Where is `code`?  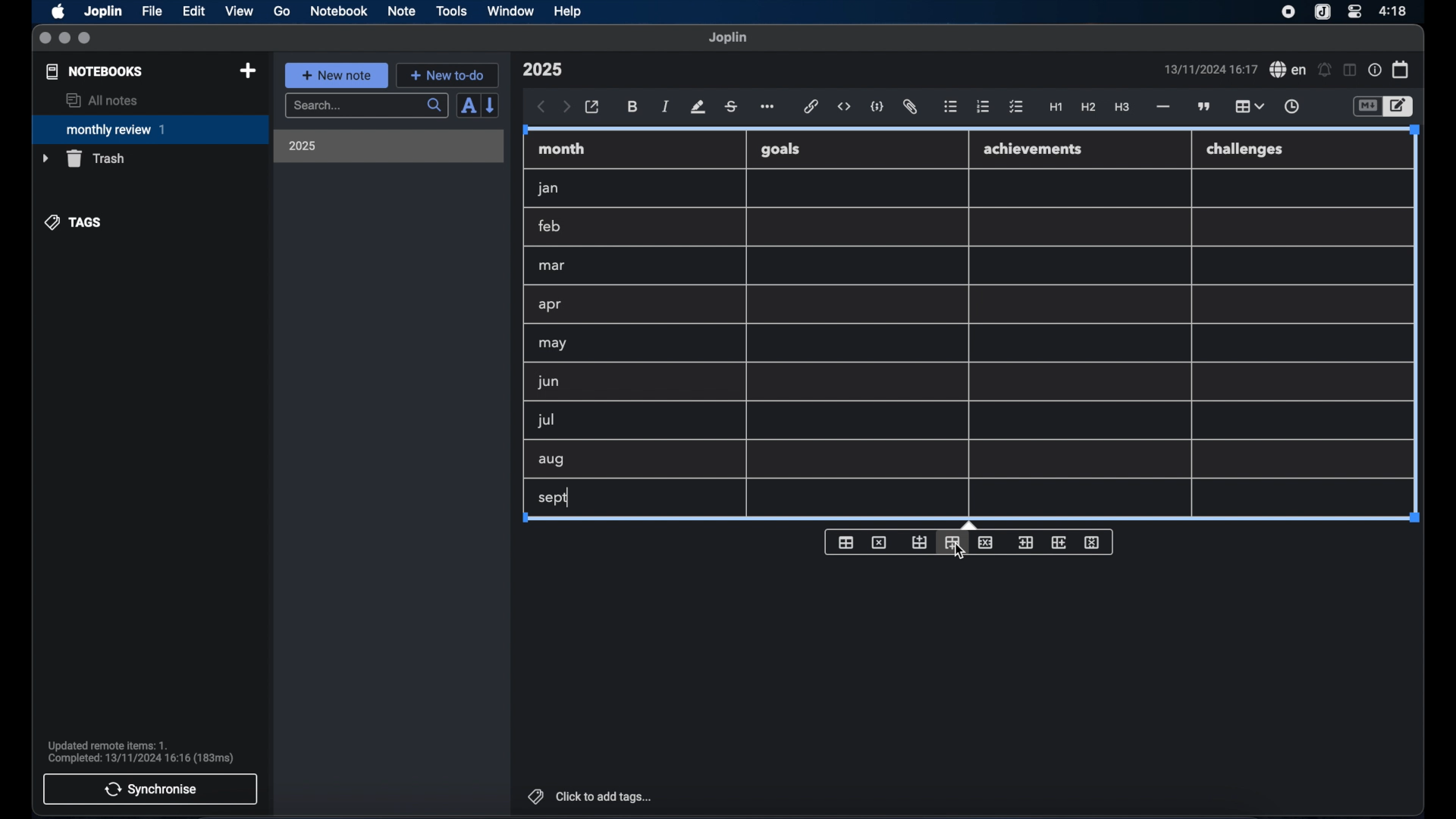 code is located at coordinates (877, 108).